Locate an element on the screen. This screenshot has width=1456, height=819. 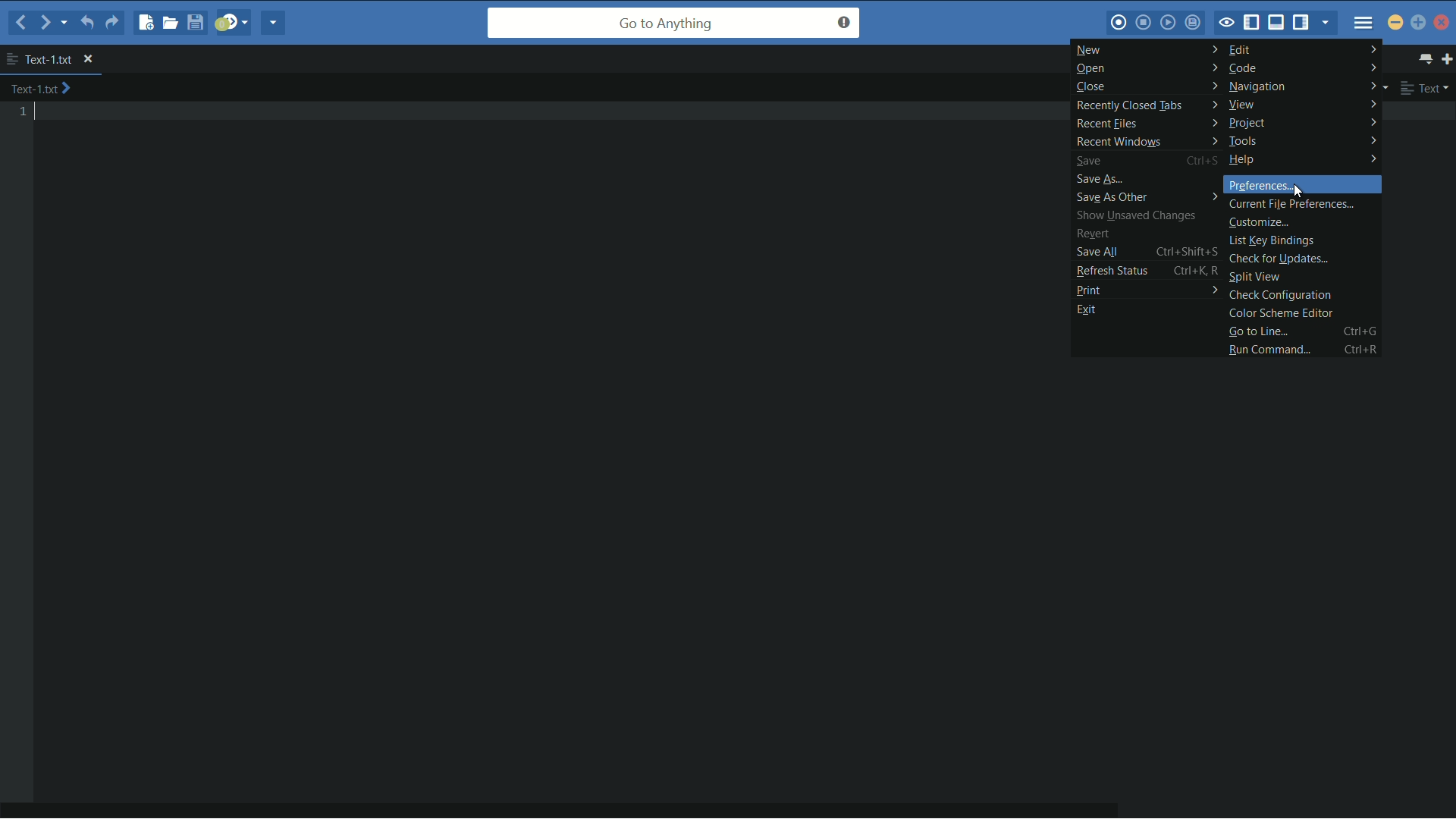
save as other is located at coordinates (1144, 198).